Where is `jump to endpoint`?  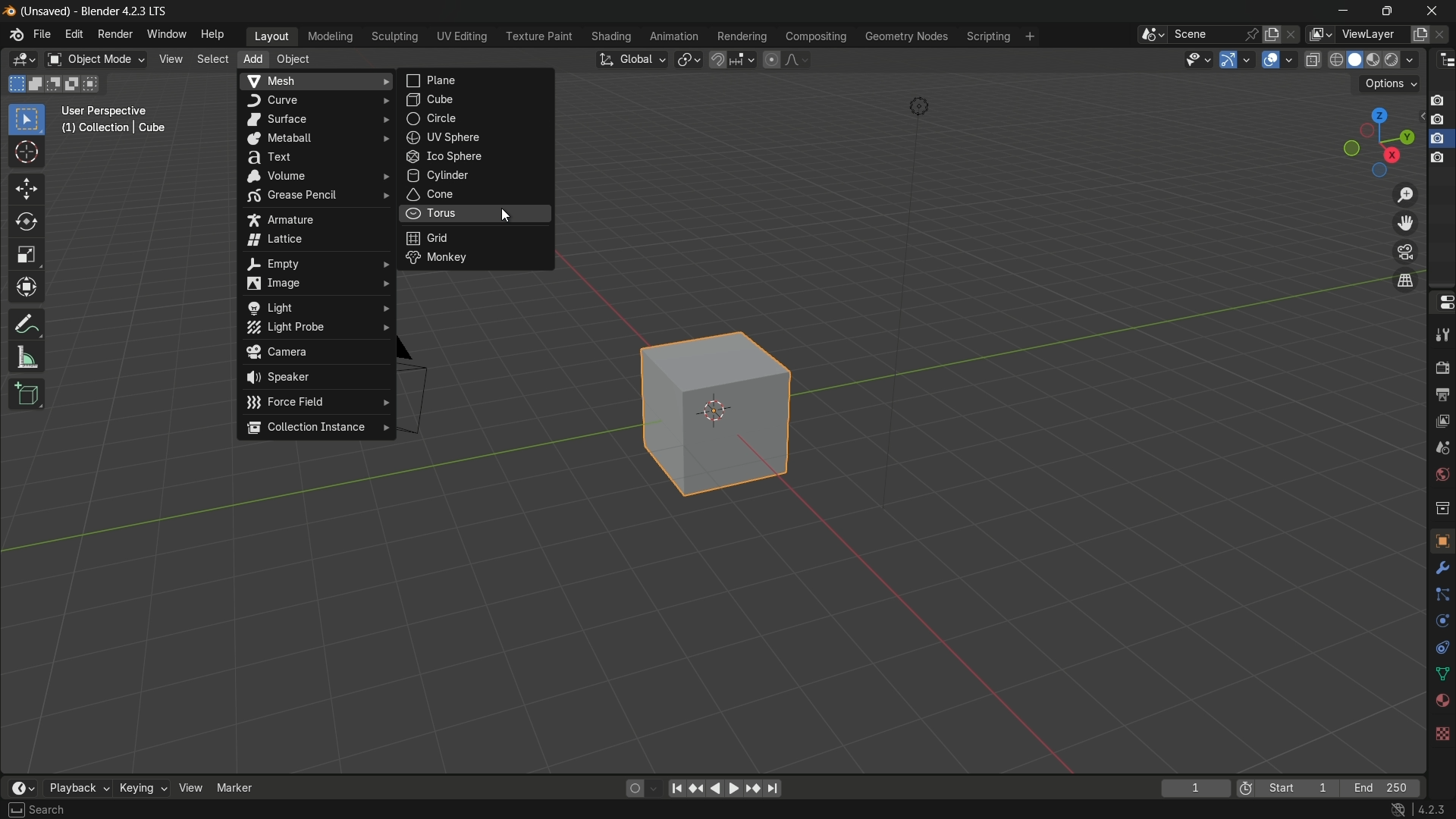 jump to endpoint is located at coordinates (674, 789).